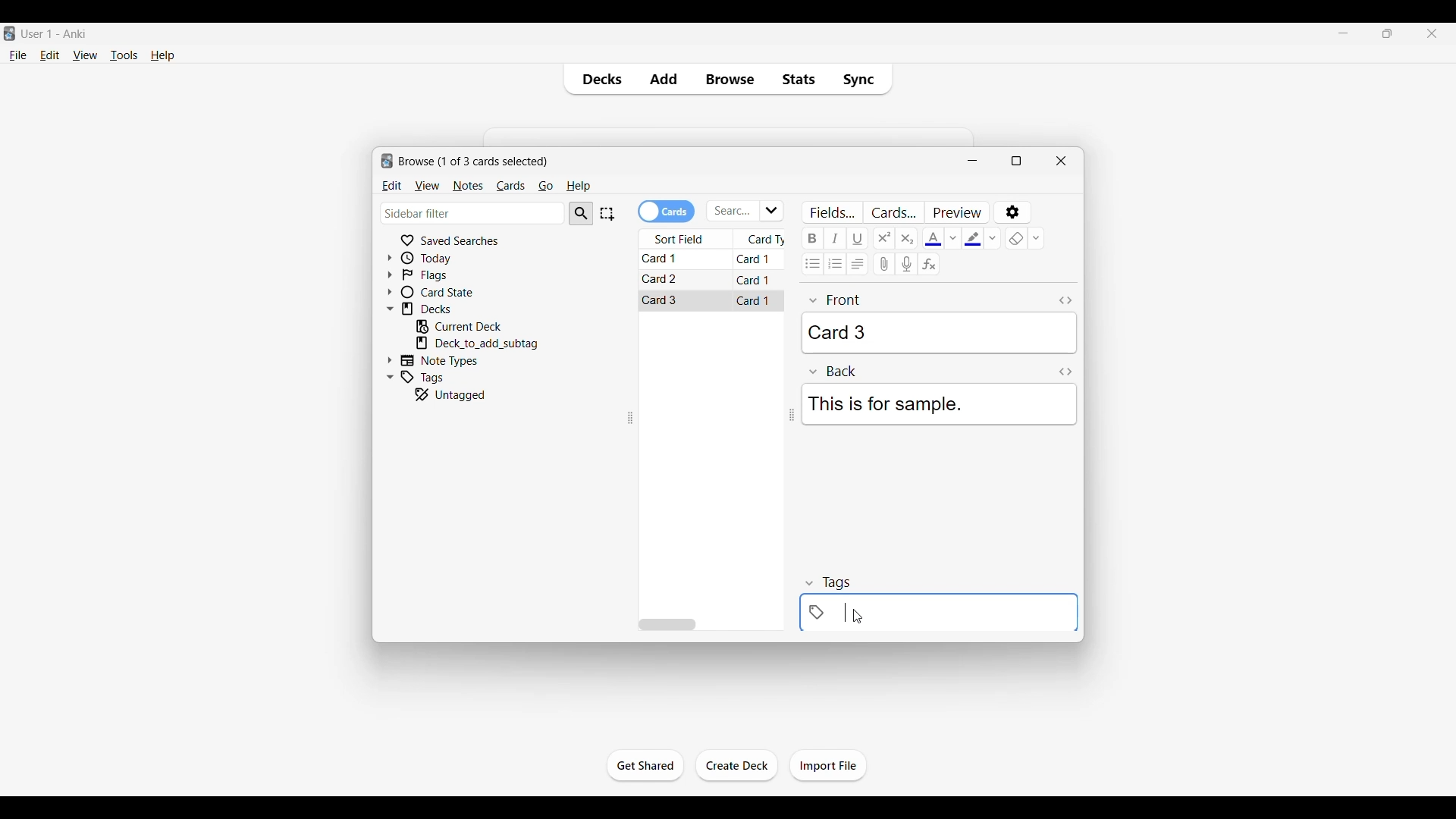  What do you see at coordinates (390, 309) in the screenshot?
I see `Click to collapse Decks` at bounding box center [390, 309].